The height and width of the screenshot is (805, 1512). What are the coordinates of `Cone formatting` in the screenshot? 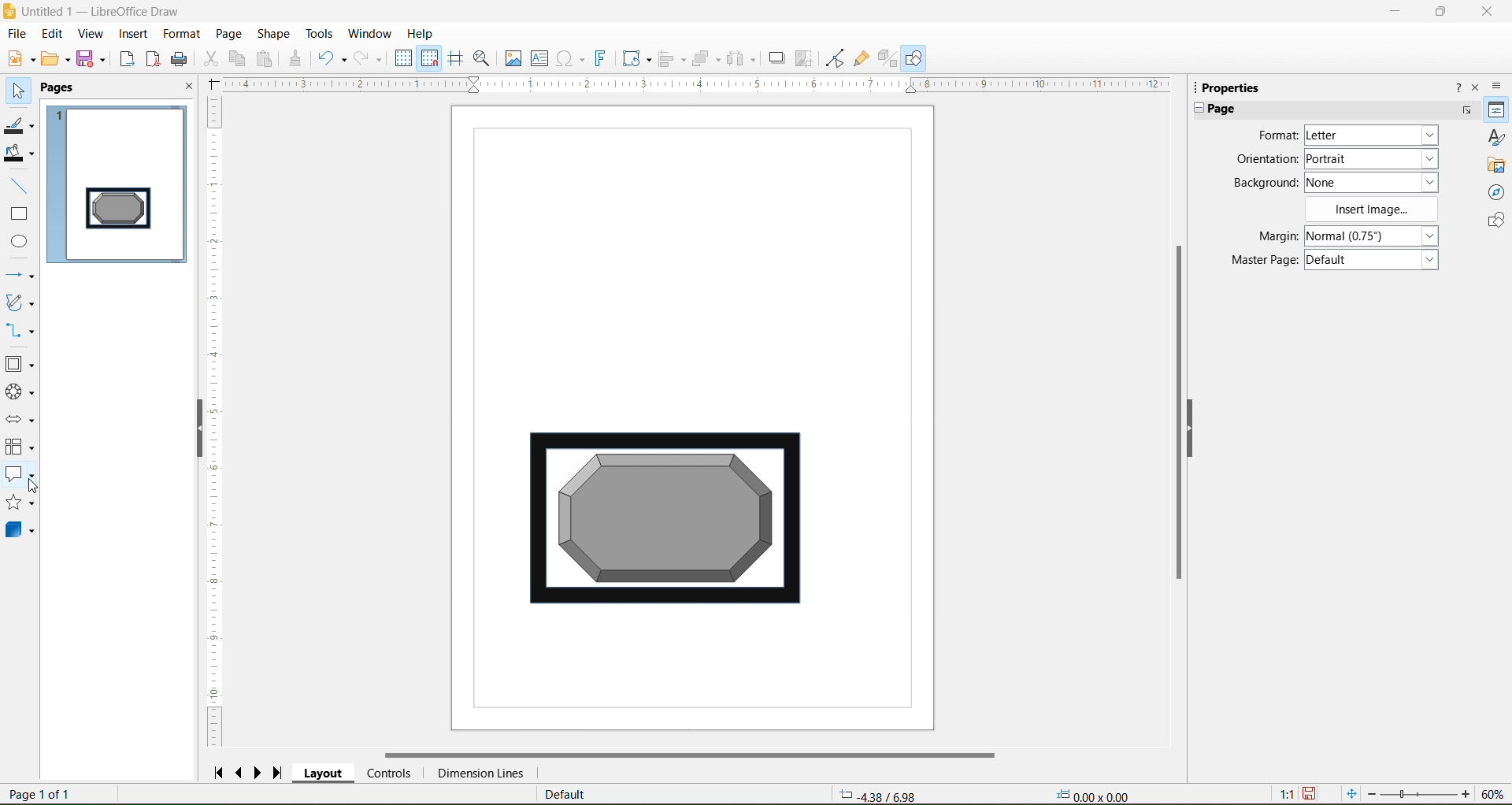 It's located at (295, 60).